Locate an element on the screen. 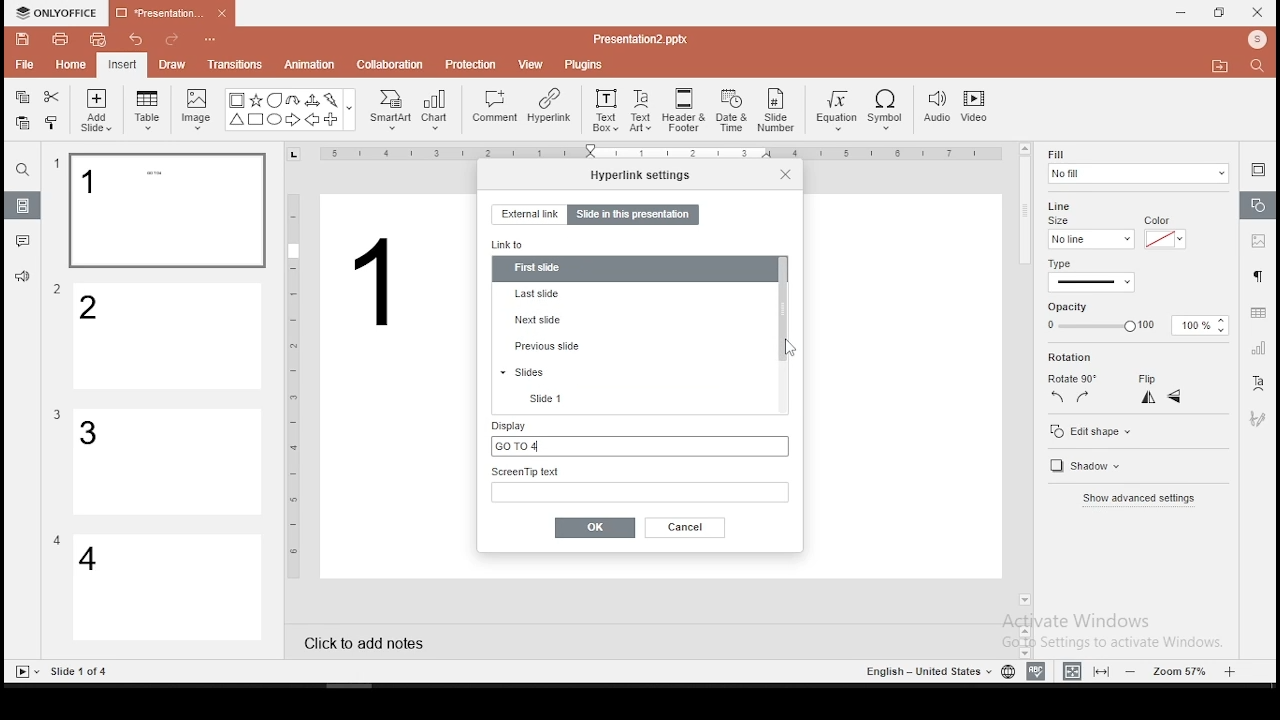  rotate 90 clockwise is located at coordinates (1084, 396).